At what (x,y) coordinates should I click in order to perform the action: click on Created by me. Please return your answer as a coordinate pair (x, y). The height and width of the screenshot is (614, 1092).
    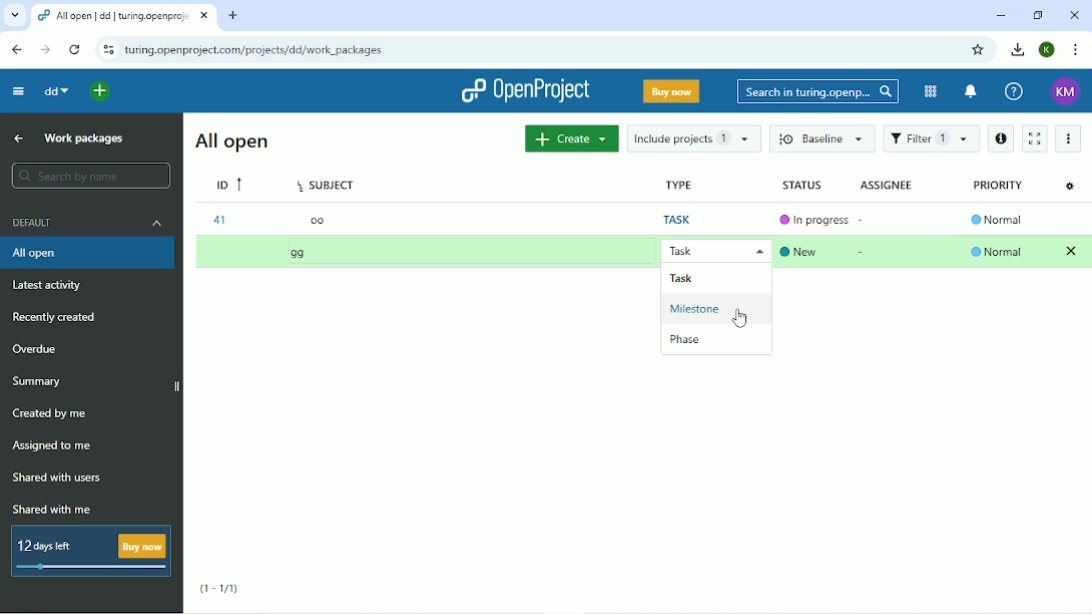
    Looking at the image, I should click on (51, 414).